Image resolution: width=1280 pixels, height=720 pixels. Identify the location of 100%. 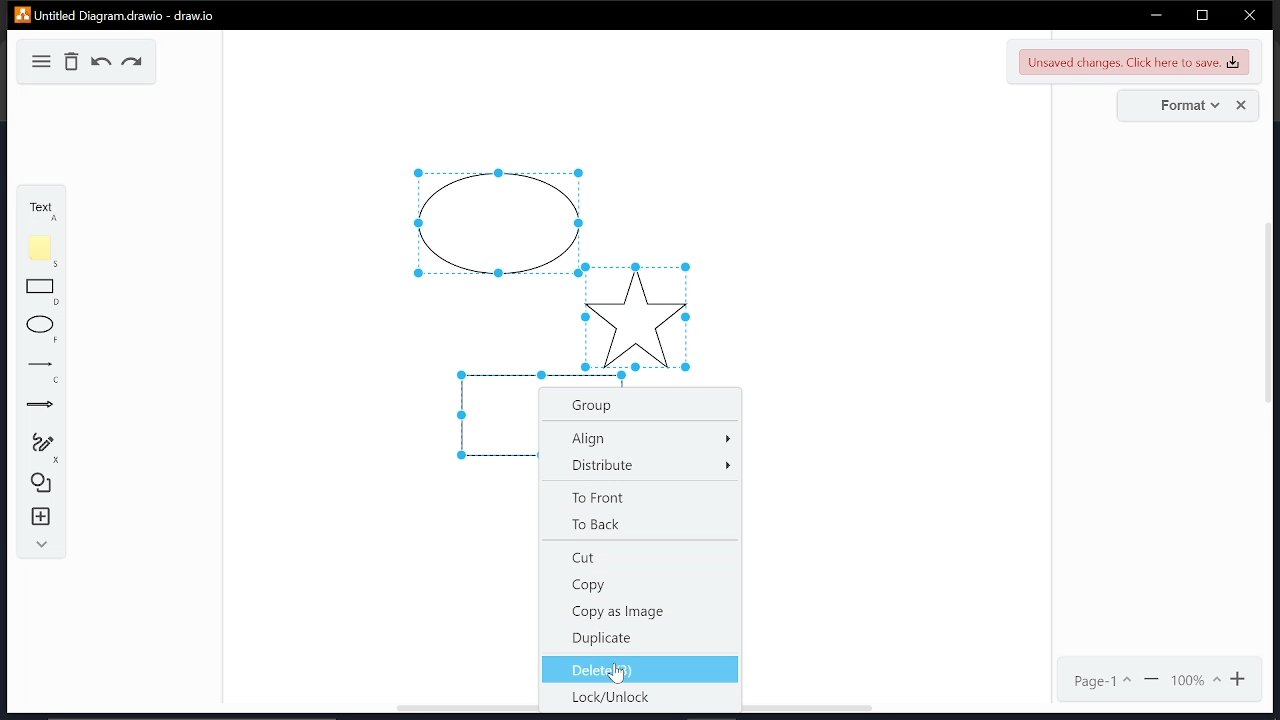
(1195, 680).